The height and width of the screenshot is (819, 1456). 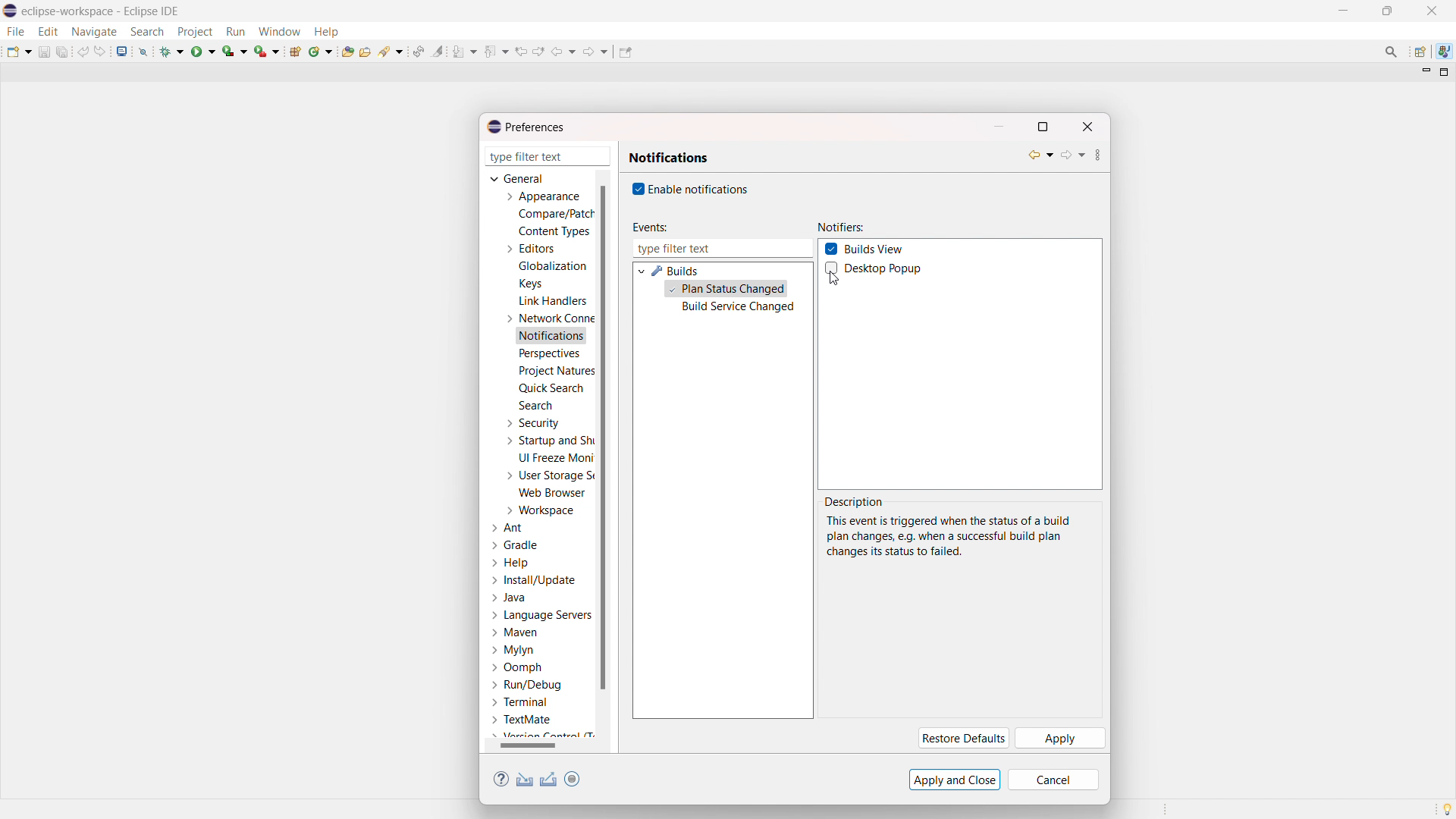 What do you see at coordinates (1072, 155) in the screenshot?
I see `forward` at bounding box center [1072, 155].